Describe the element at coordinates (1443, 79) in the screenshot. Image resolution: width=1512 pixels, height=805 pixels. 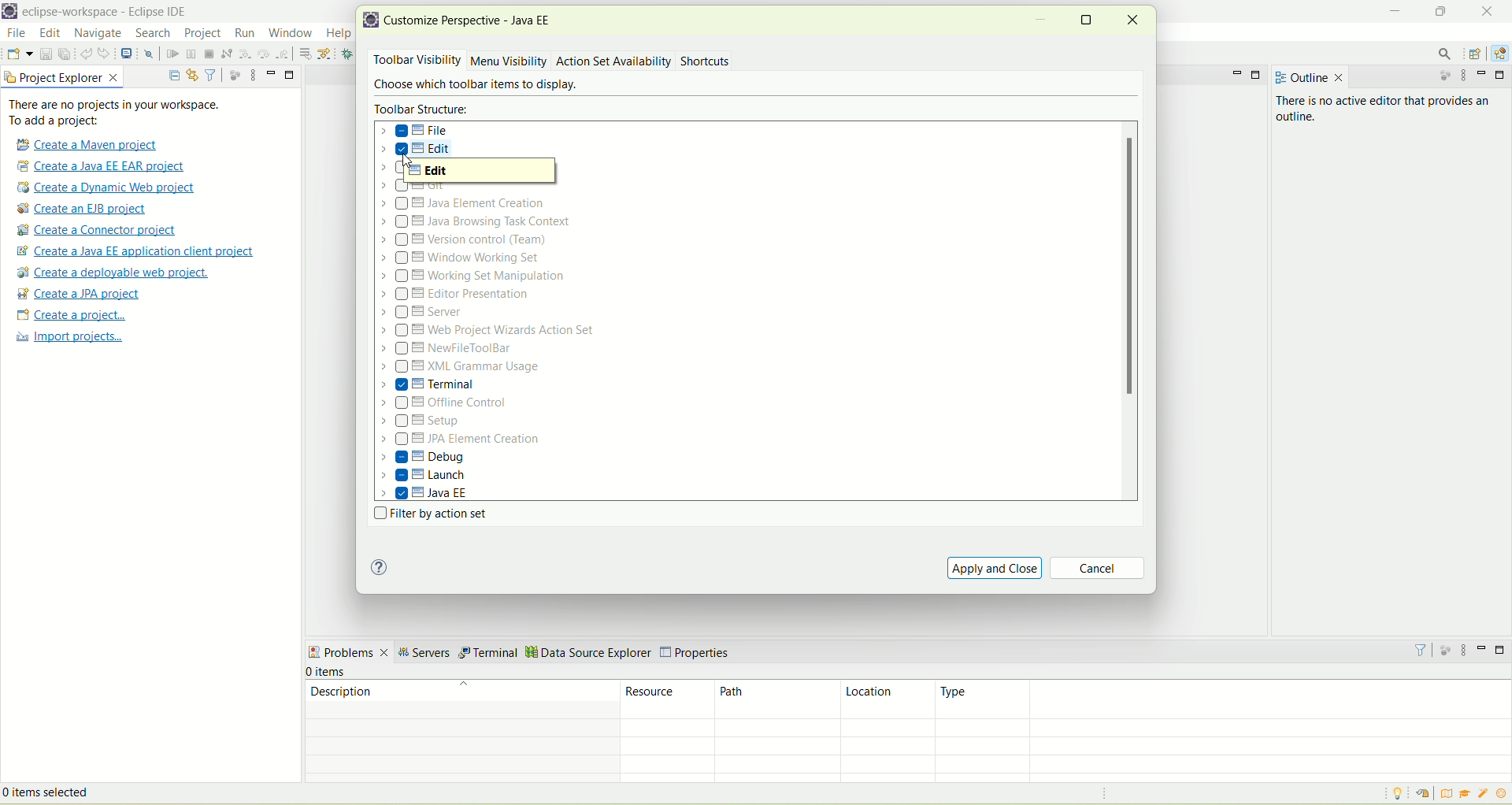
I see `focus on active task` at that location.